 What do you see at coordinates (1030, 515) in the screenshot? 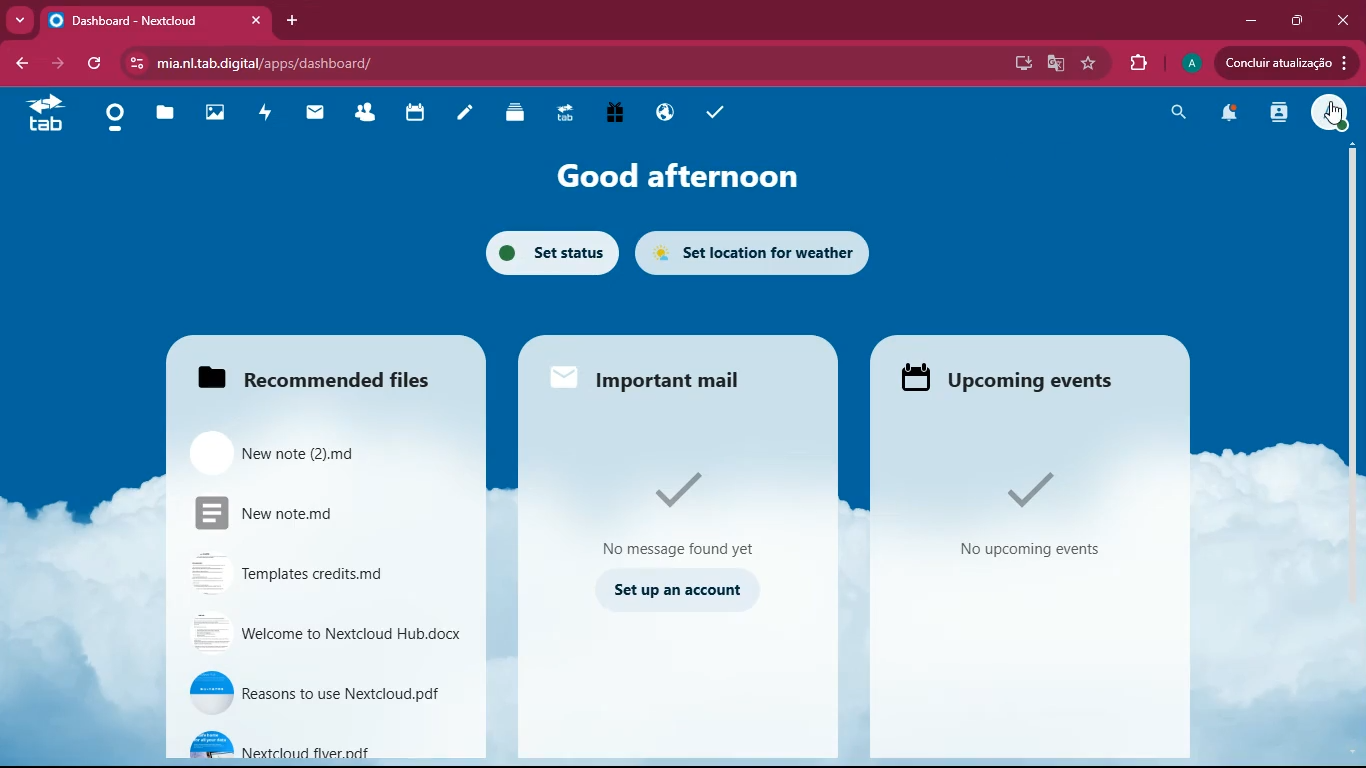
I see `events` at bounding box center [1030, 515].